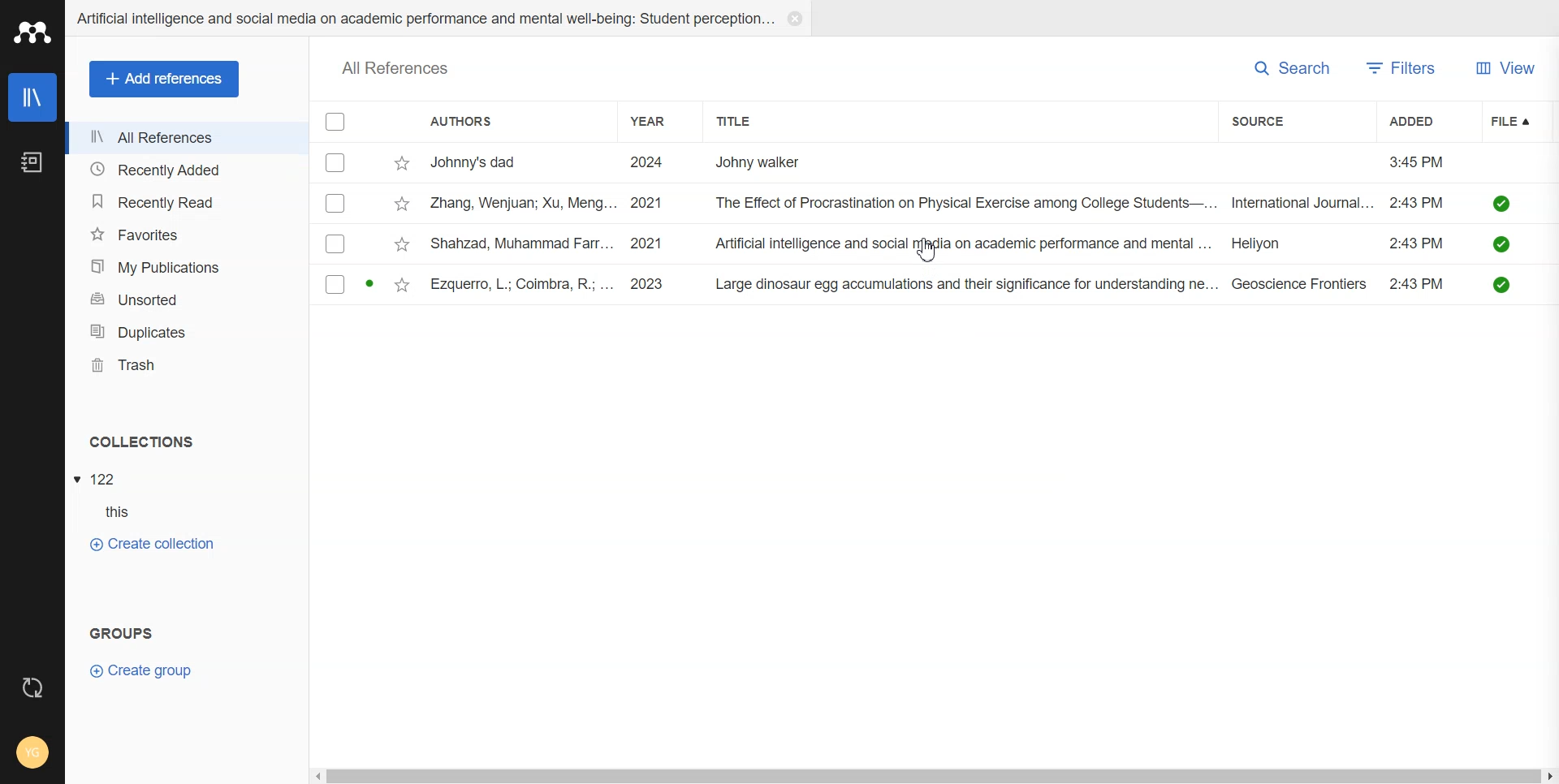 Image resolution: width=1559 pixels, height=784 pixels. Describe the element at coordinates (1505, 67) in the screenshot. I see `View` at that location.